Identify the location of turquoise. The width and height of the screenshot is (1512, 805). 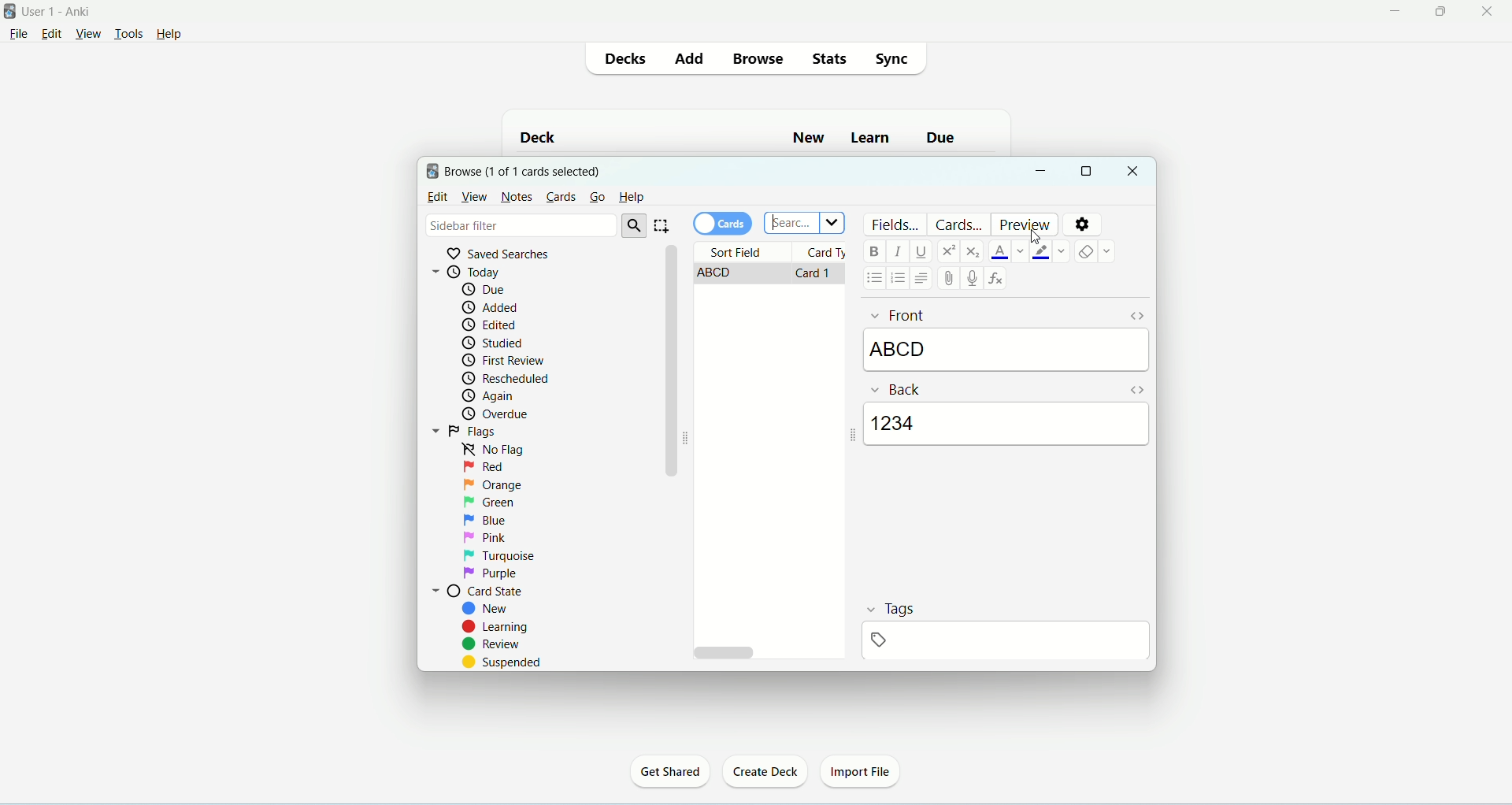
(500, 555).